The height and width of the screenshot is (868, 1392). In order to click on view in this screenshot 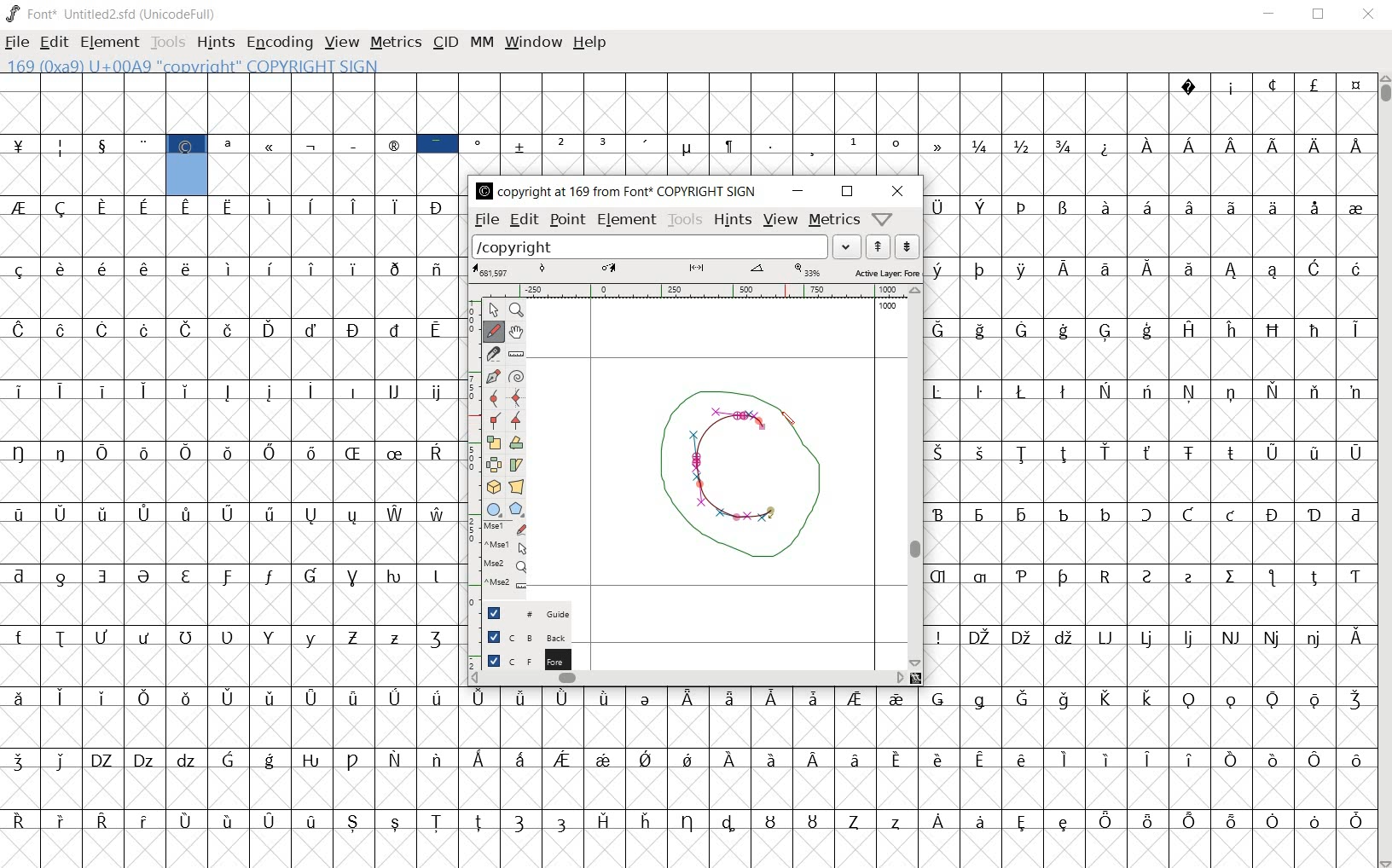, I will do `click(781, 222)`.